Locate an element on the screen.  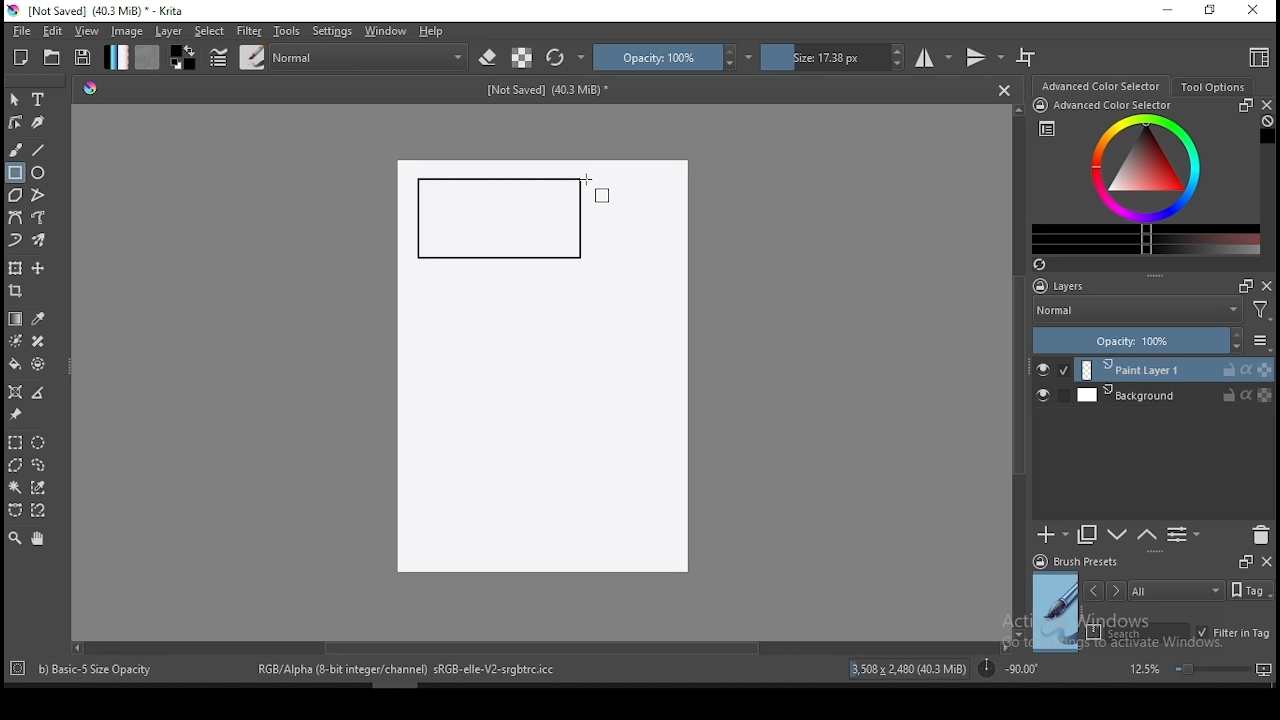
file is located at coordinates (21, 31).